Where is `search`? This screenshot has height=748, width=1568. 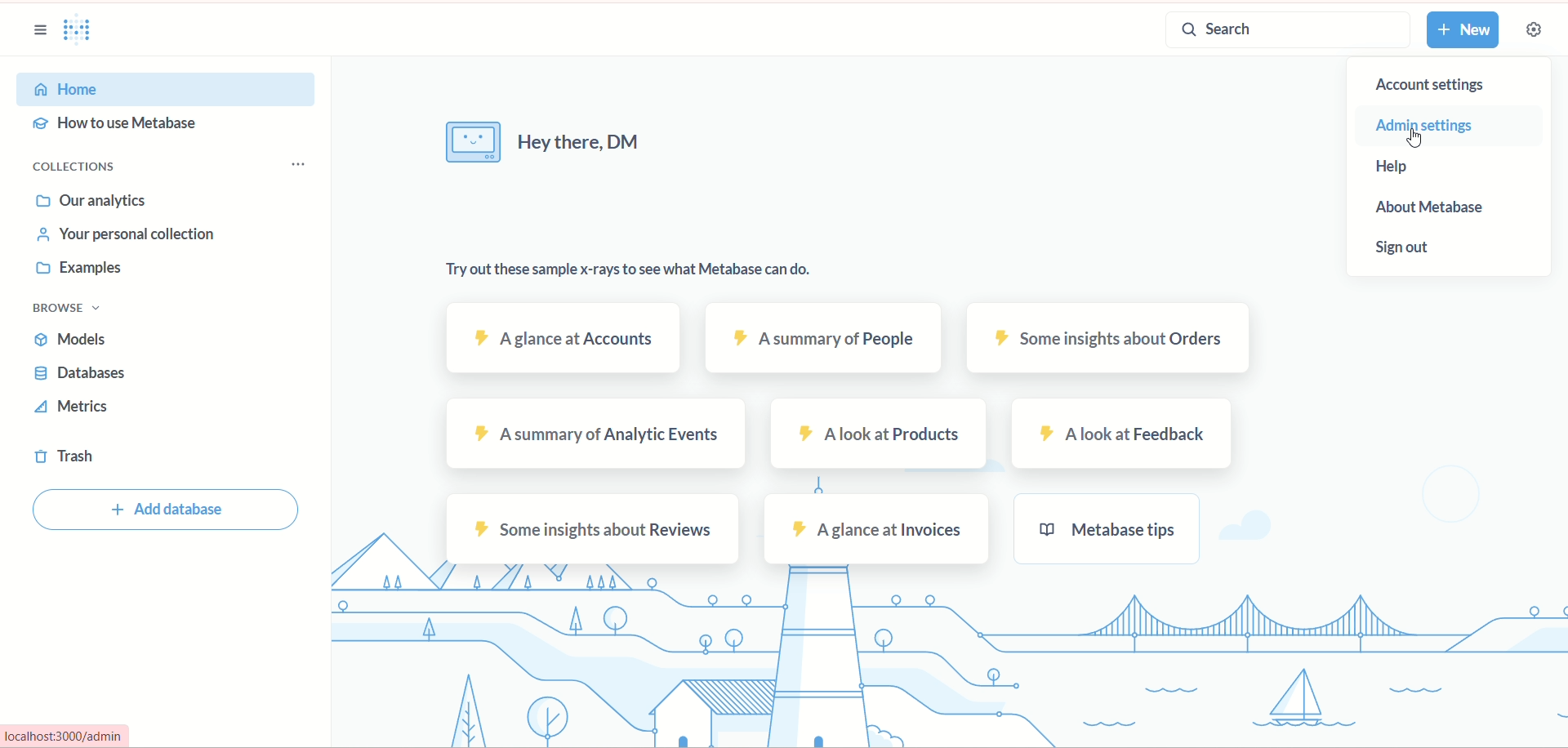
search is located at coordinates (1280, 32).